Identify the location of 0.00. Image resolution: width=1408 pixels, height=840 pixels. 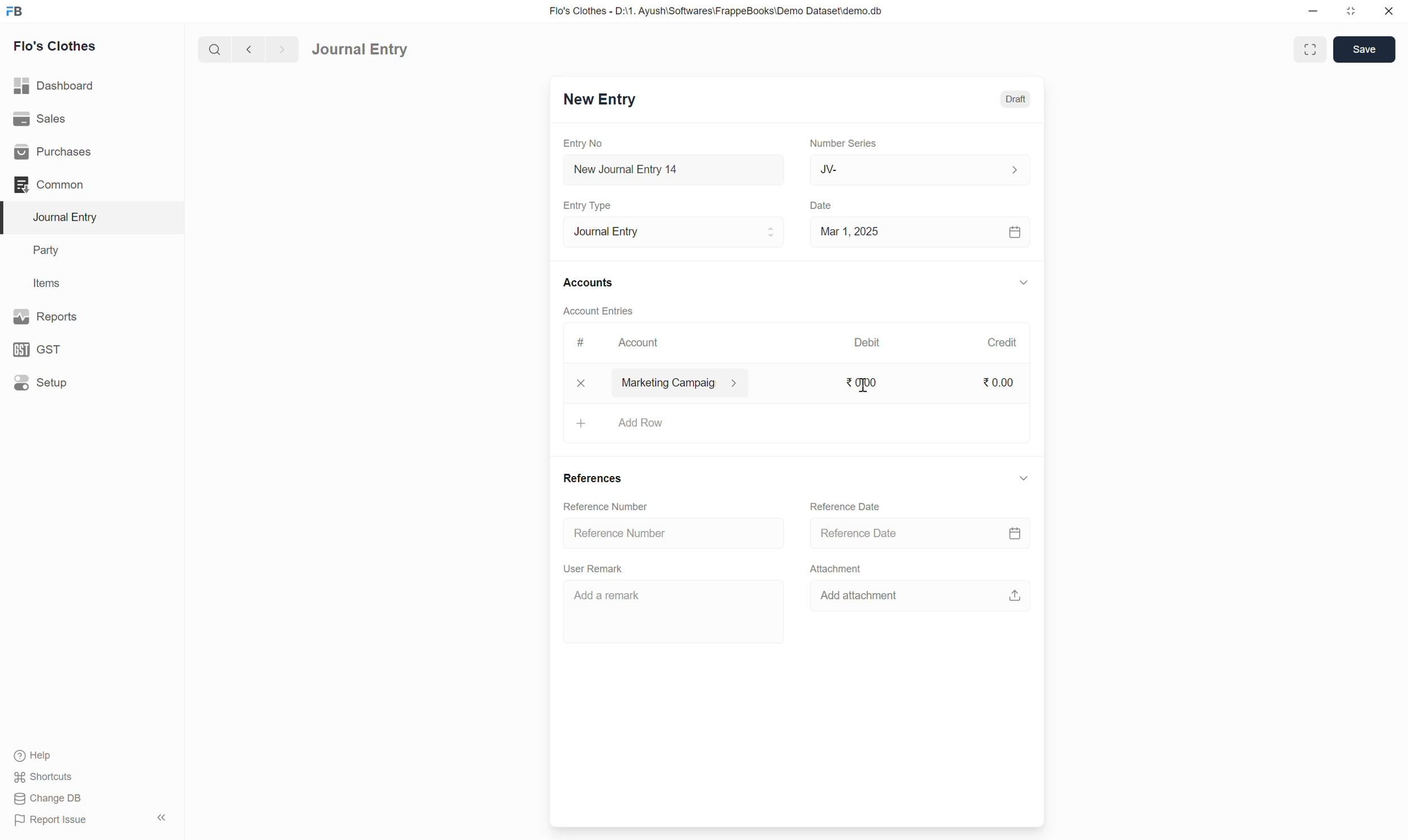
(863, 382).